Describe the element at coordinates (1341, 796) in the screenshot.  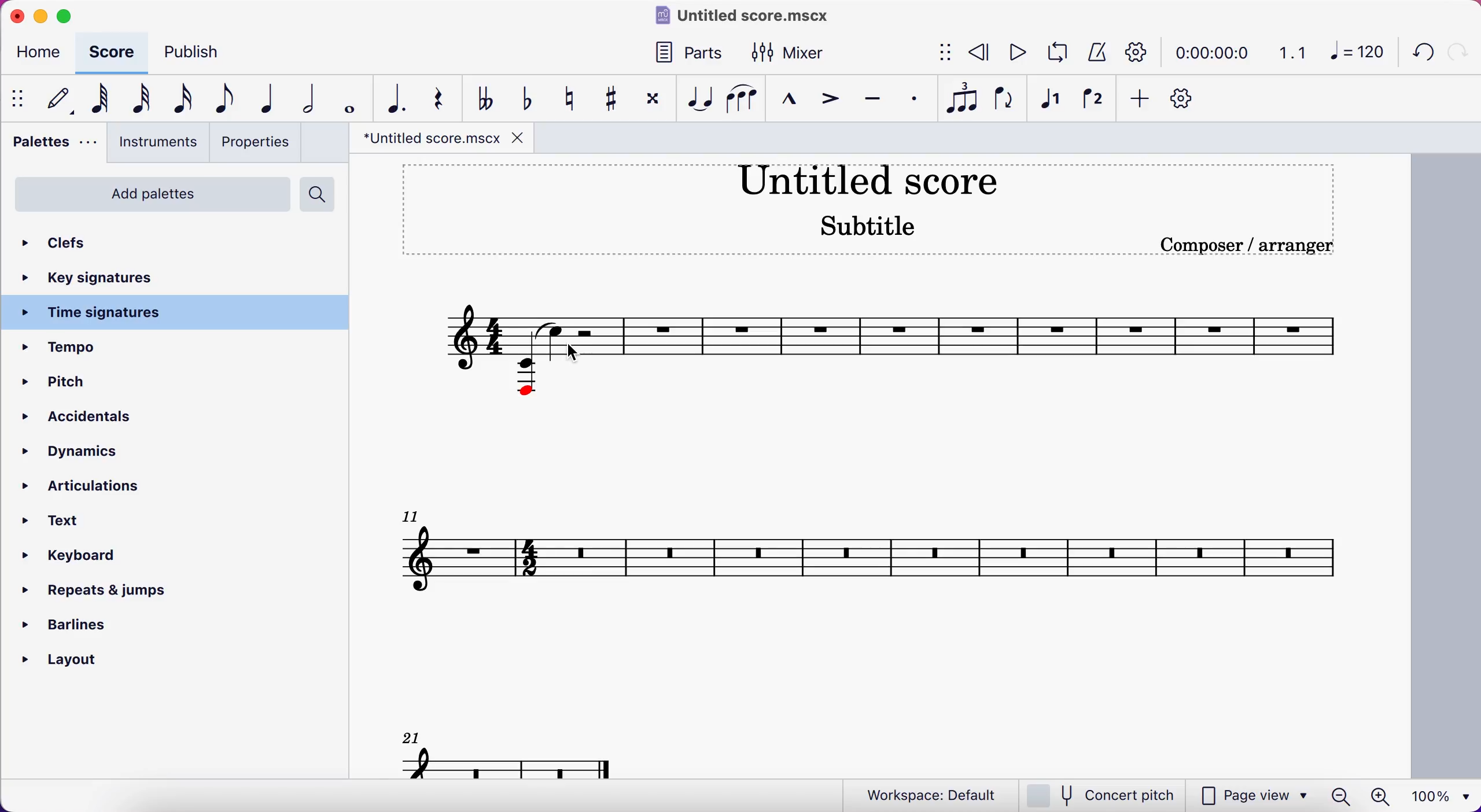
I see `zoom out` at that location.